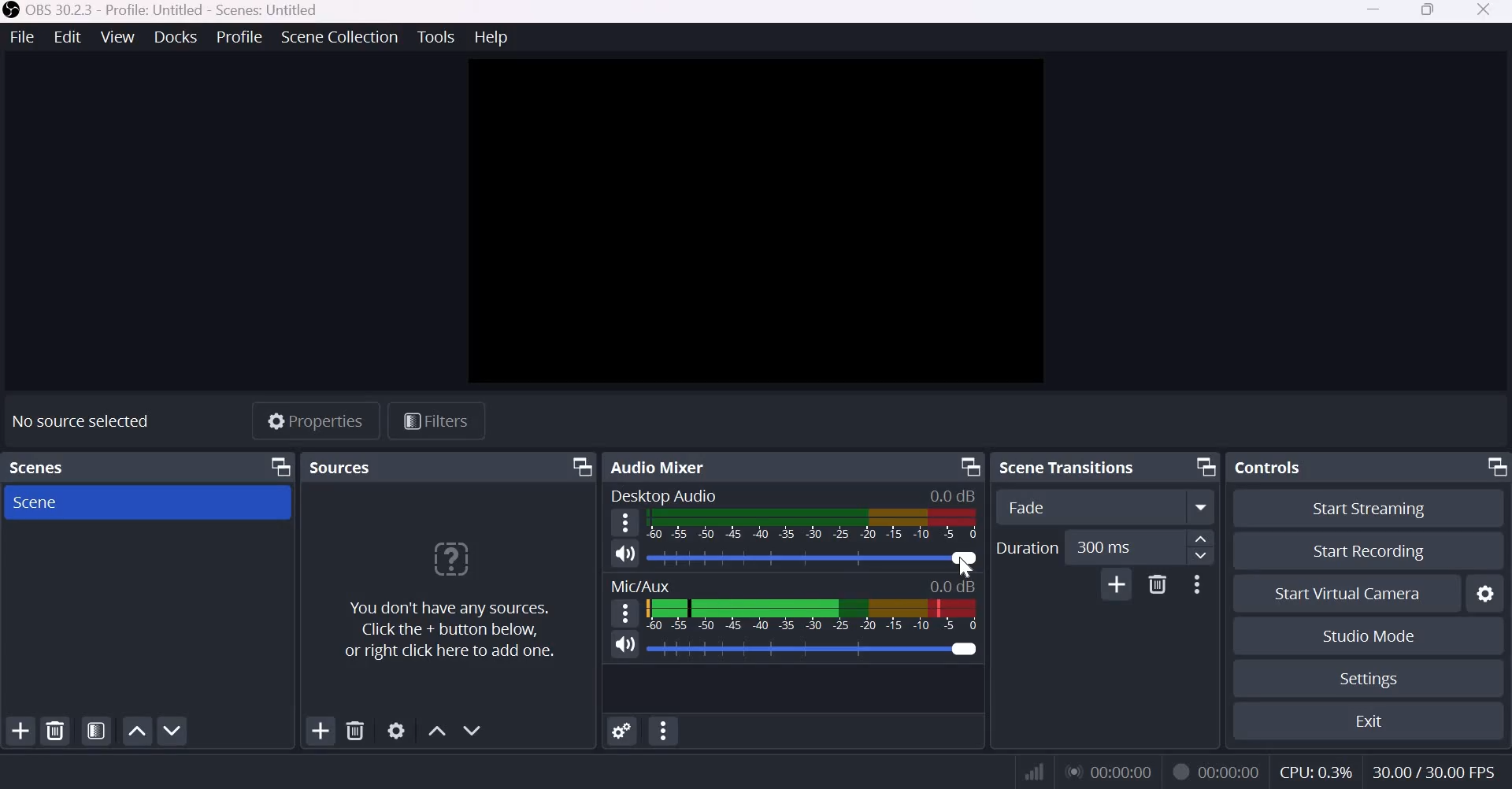 This screenshot has height=789, width=1512. What do you see at coordinates (342, 37) in the screenshot?
I see `Scene collection` at bounding box center [342, 37].